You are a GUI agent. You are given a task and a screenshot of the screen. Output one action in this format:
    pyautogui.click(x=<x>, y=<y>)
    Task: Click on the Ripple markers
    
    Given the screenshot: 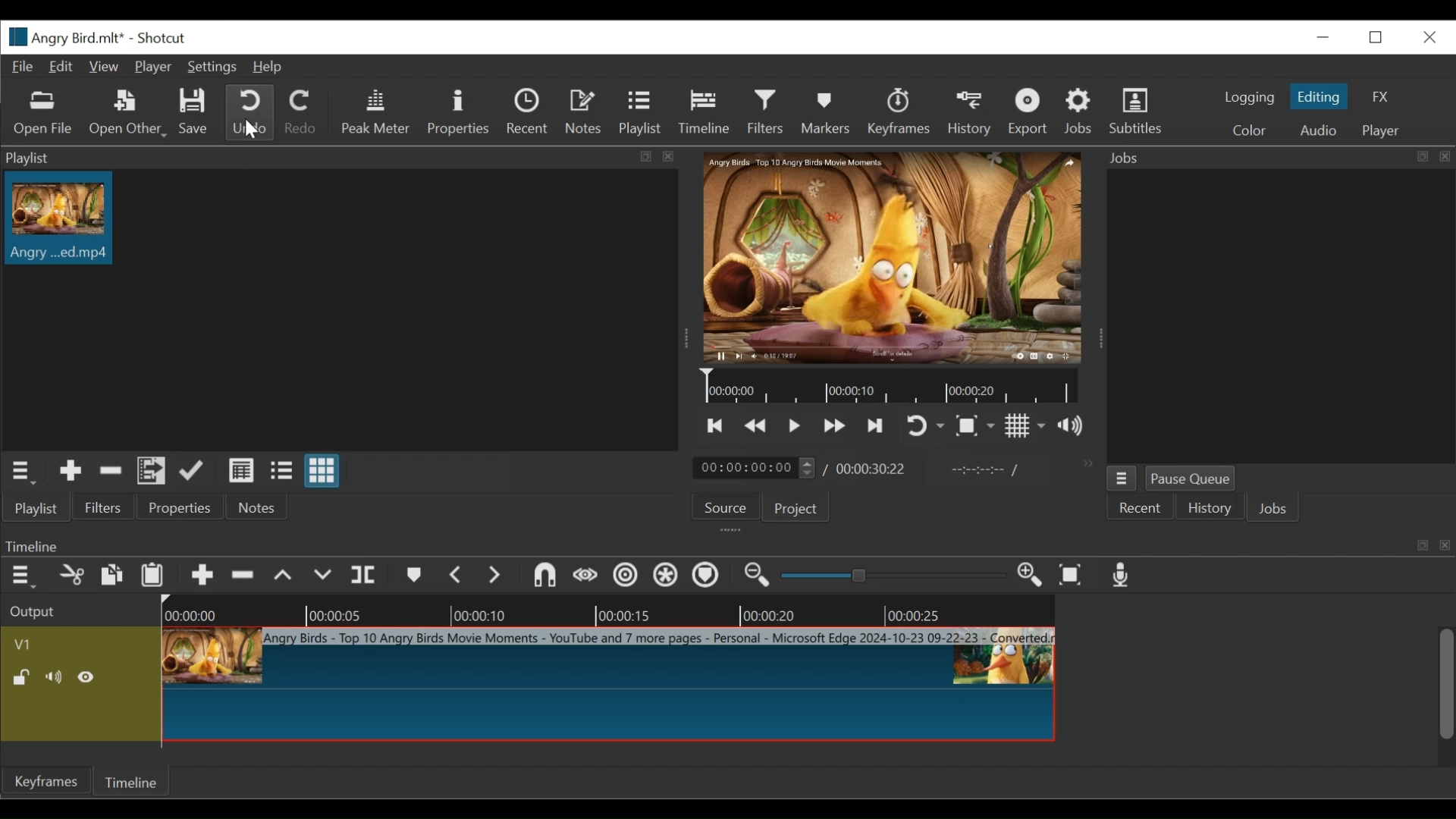 What is the action you would take?
    pyautogui.click(x=704, y=576)
    